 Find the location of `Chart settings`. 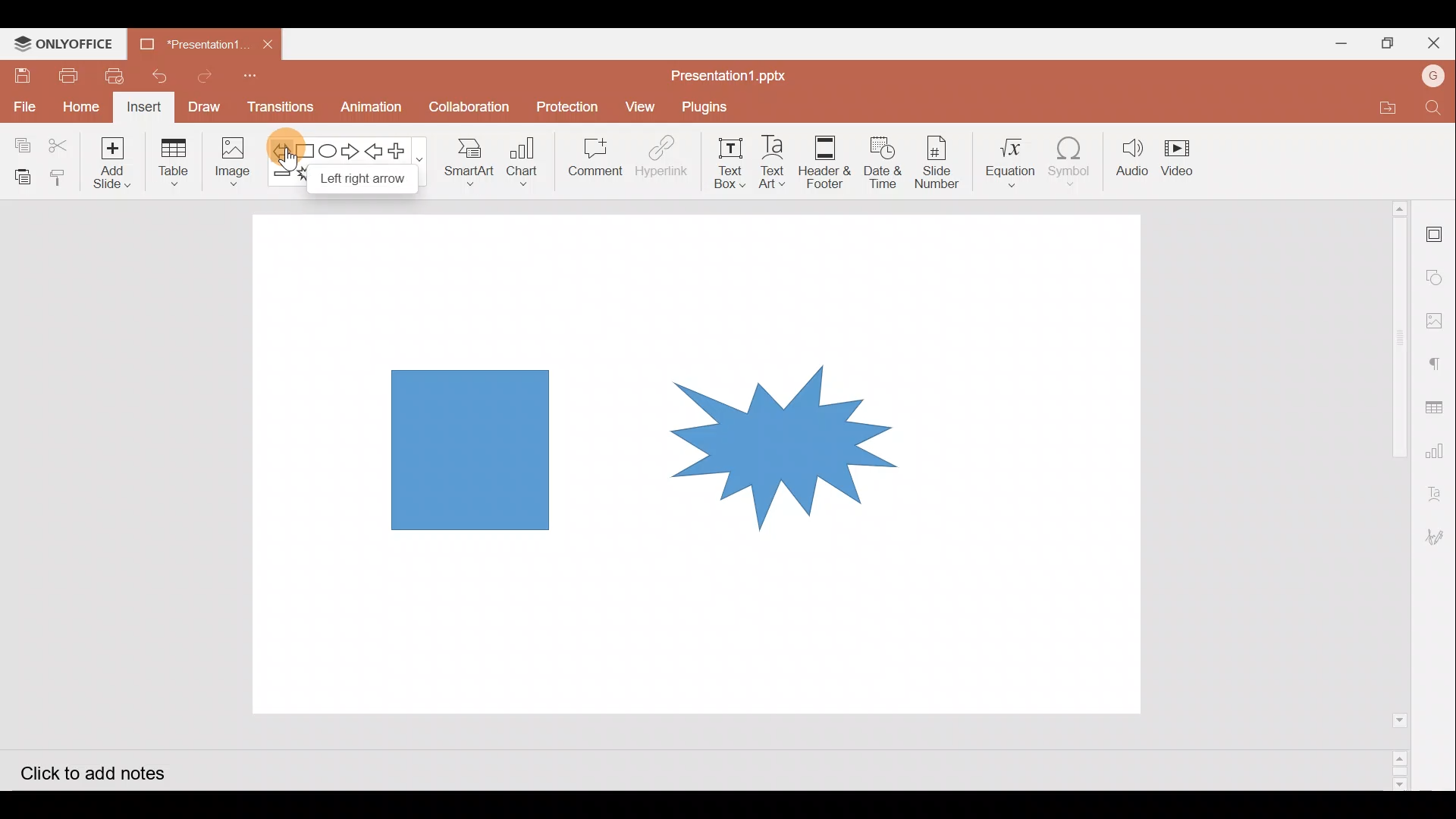

Chart settings is located at coordinates (1439, 449).